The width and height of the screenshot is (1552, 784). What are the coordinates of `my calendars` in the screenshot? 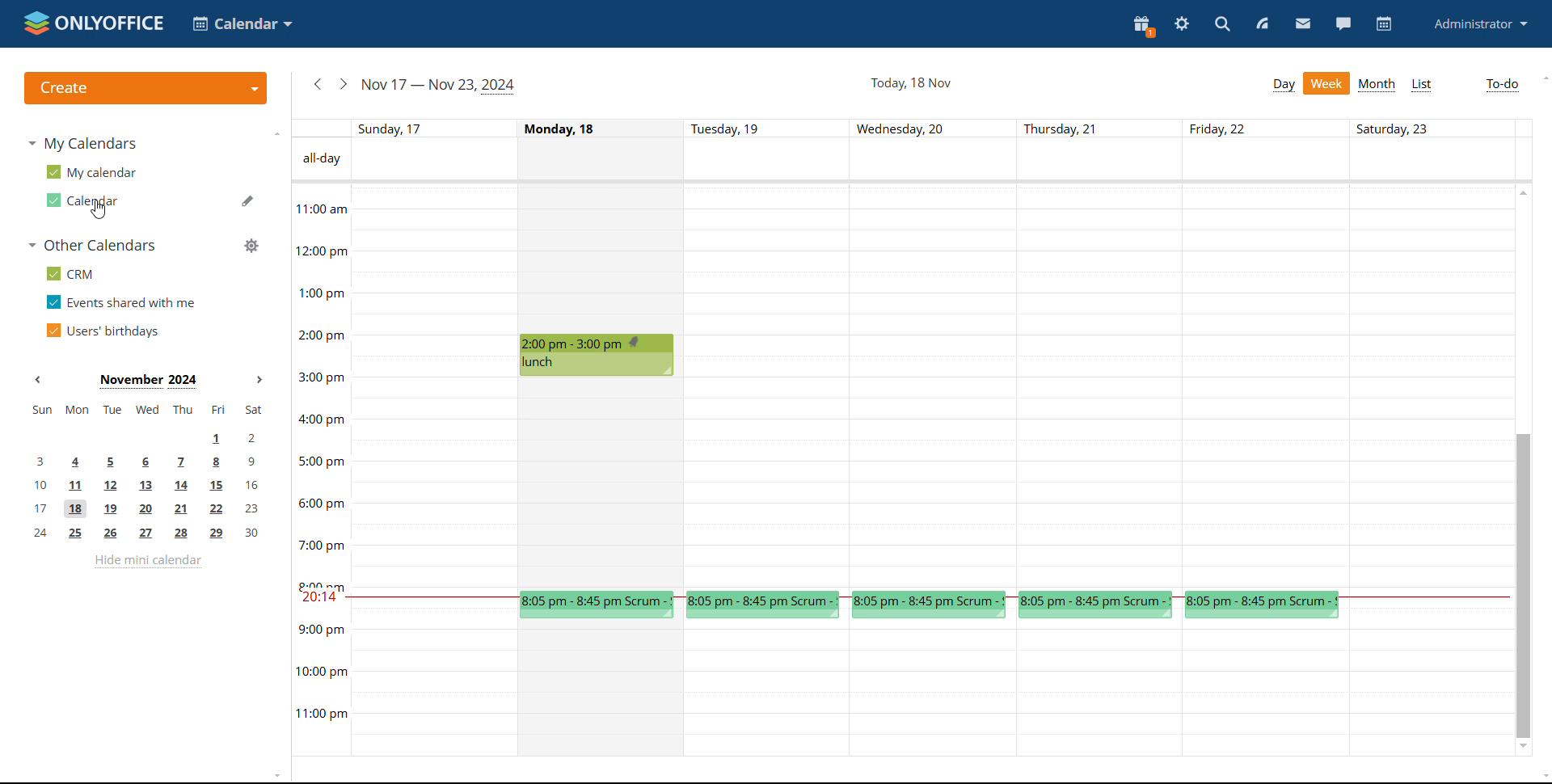 It's located at (84, 145).